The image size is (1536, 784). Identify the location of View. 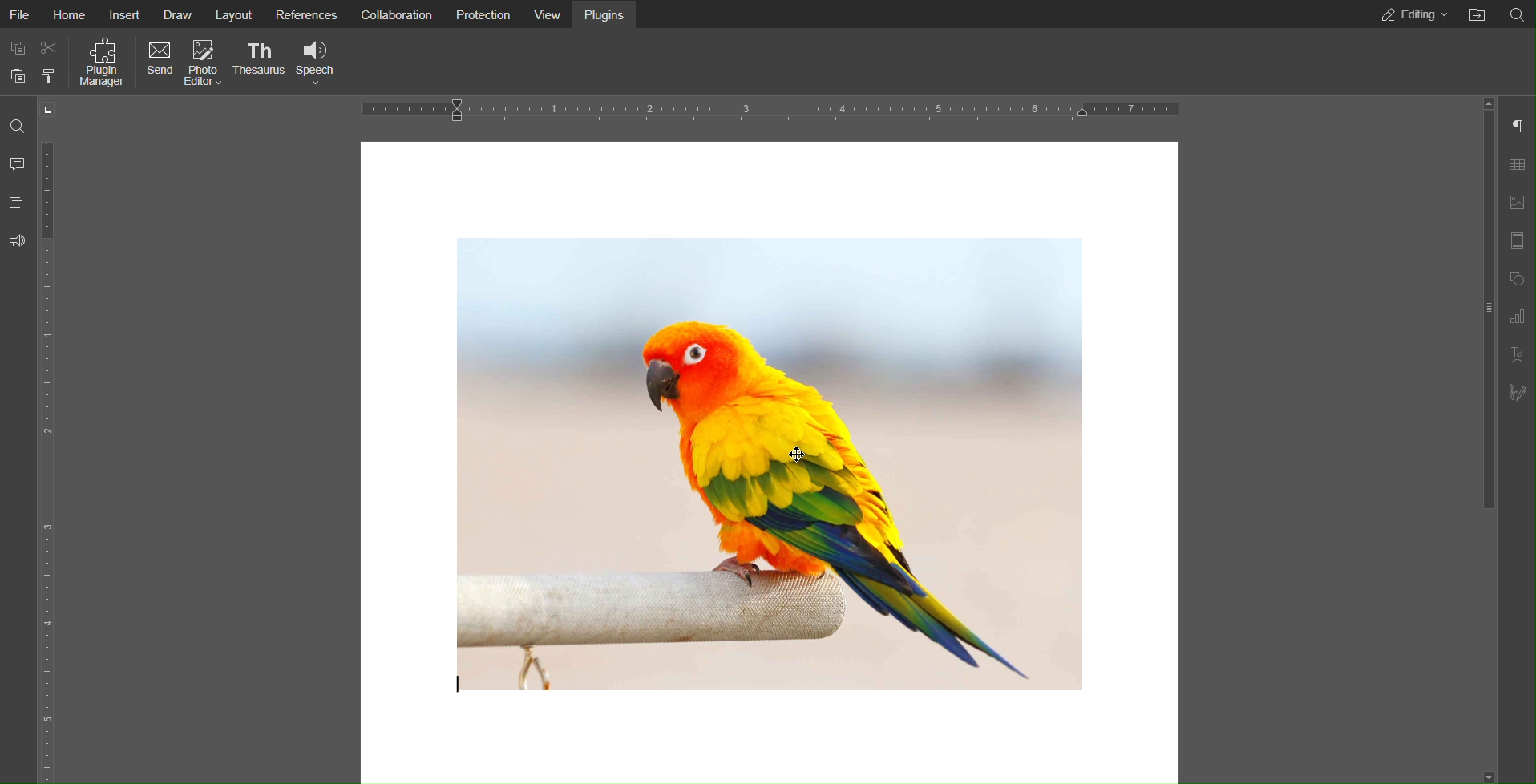
(546, 14).